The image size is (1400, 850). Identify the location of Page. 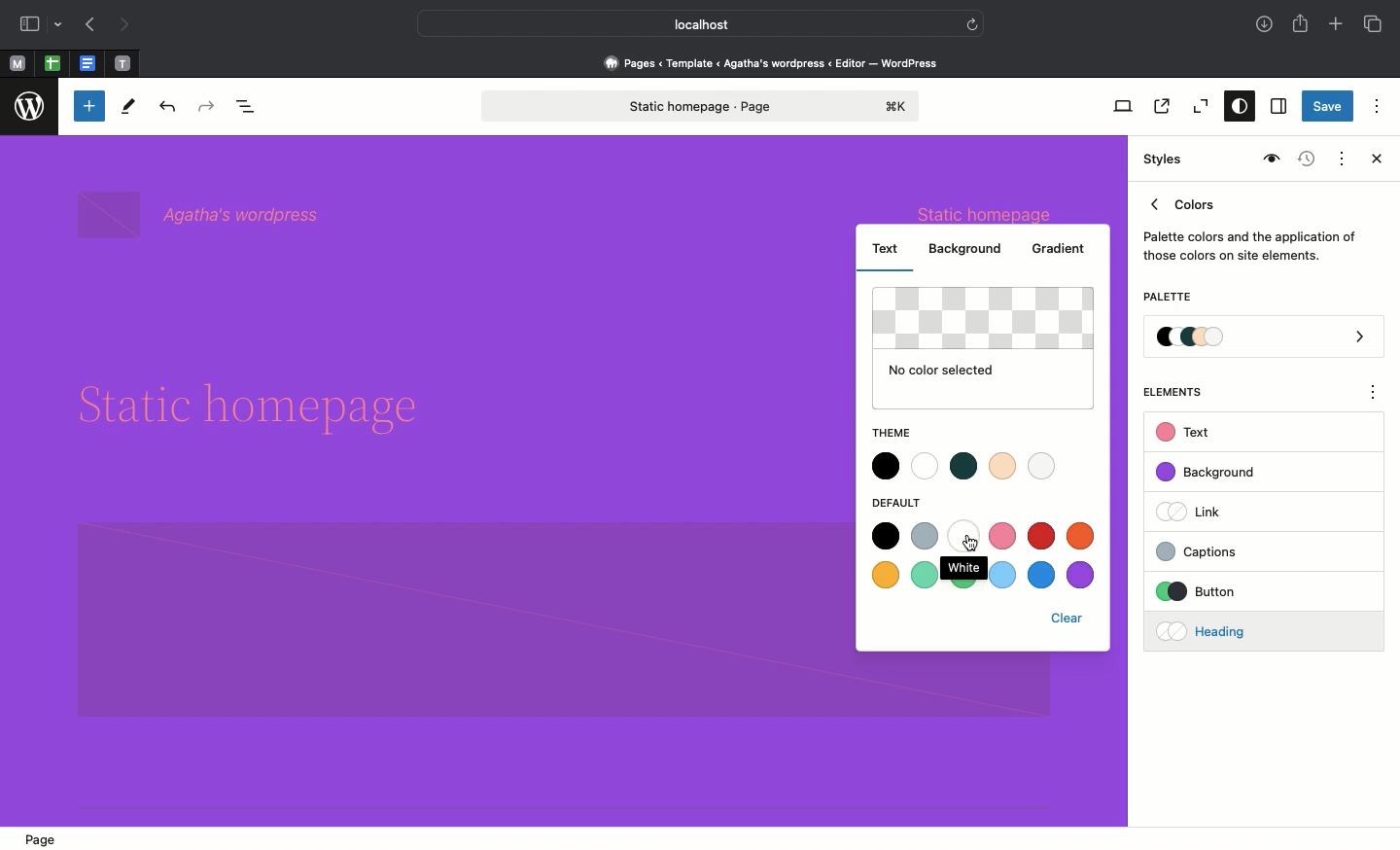
(44, 836).